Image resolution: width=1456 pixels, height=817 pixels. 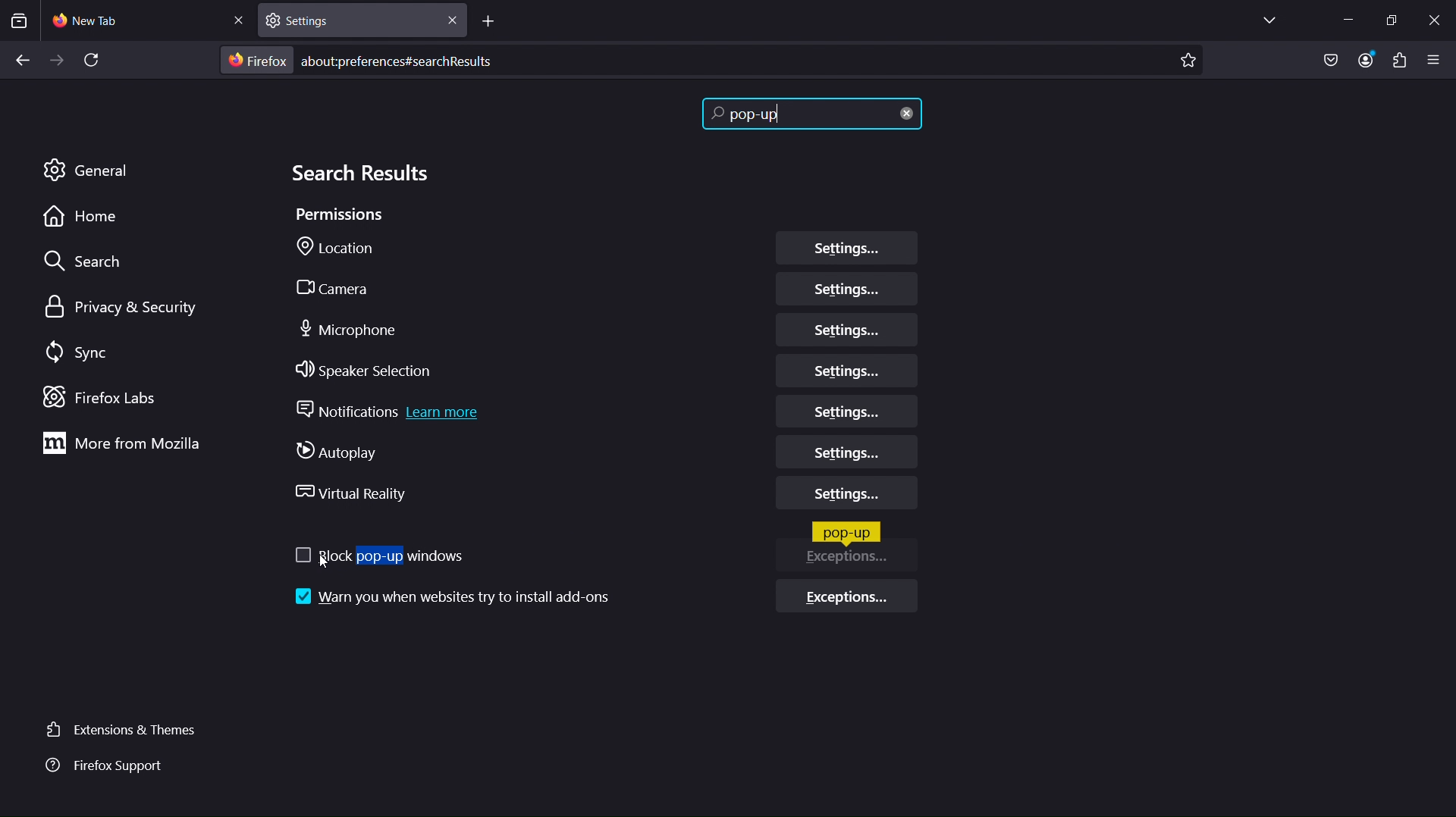 What do you see at coordinates (492, 21) in the screenshot?
I see `Add tab` at bounding box center [492, 21].